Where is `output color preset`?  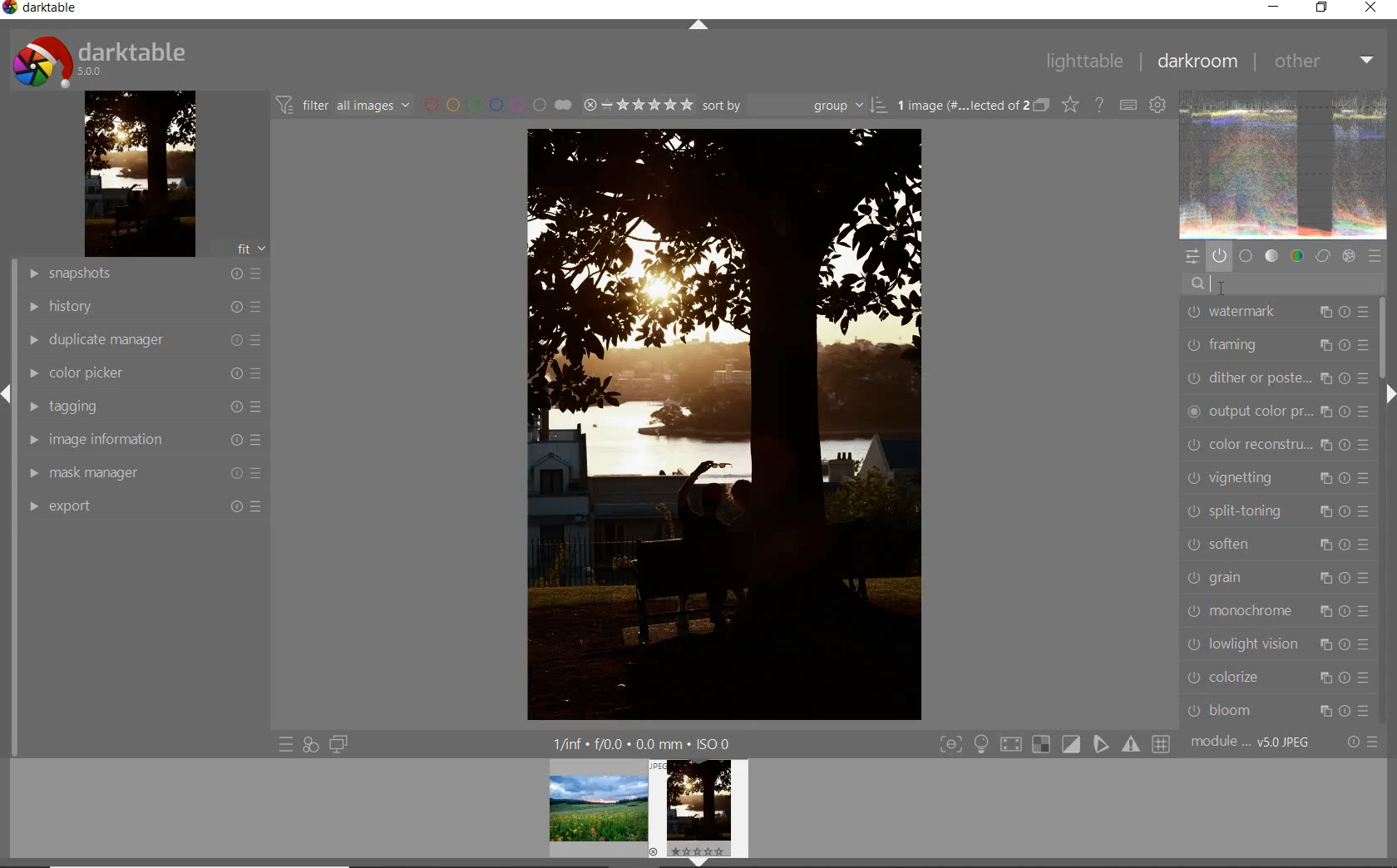 output color preset is located at coordinates (1275, 412).